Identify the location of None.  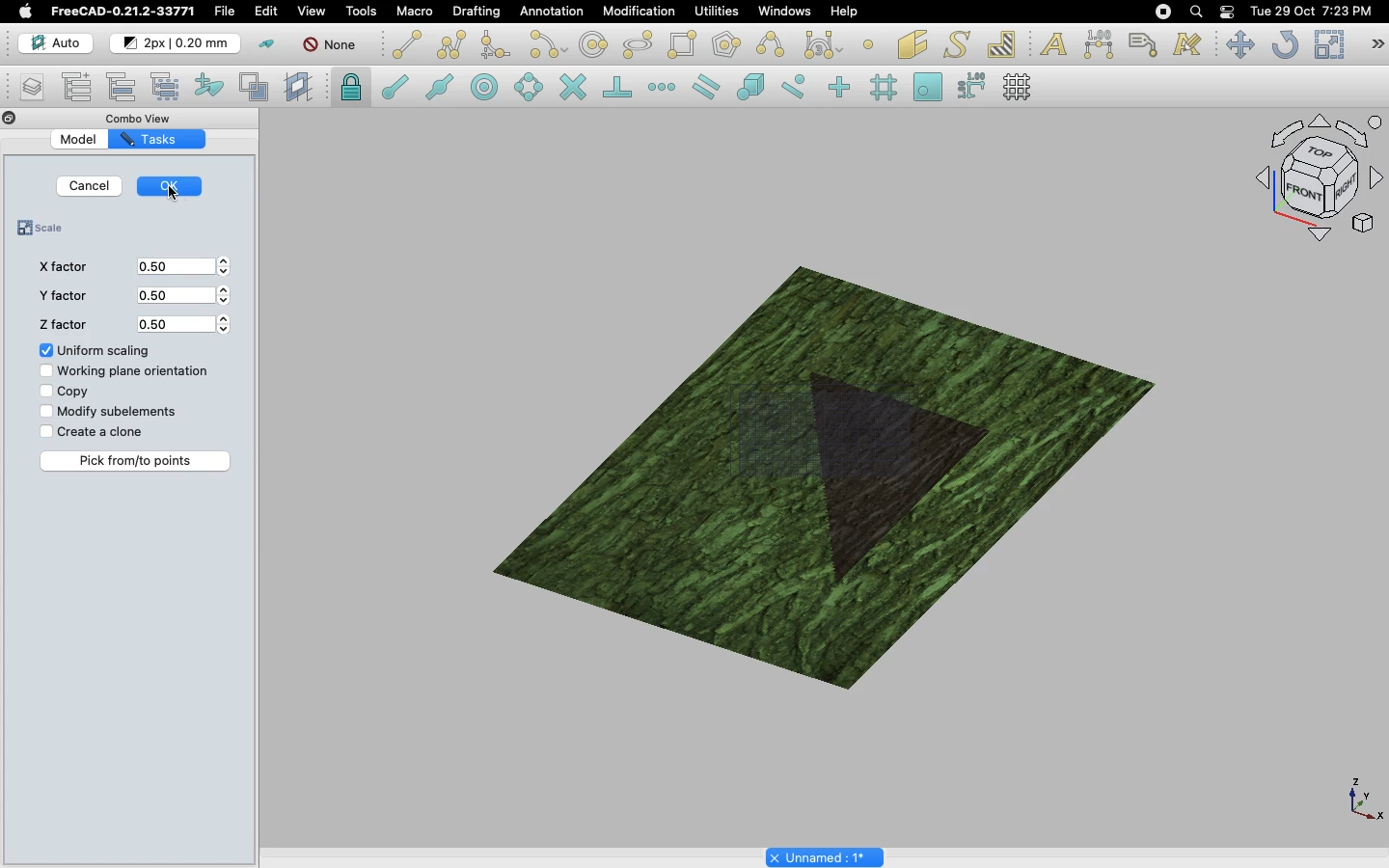
(329, 46).